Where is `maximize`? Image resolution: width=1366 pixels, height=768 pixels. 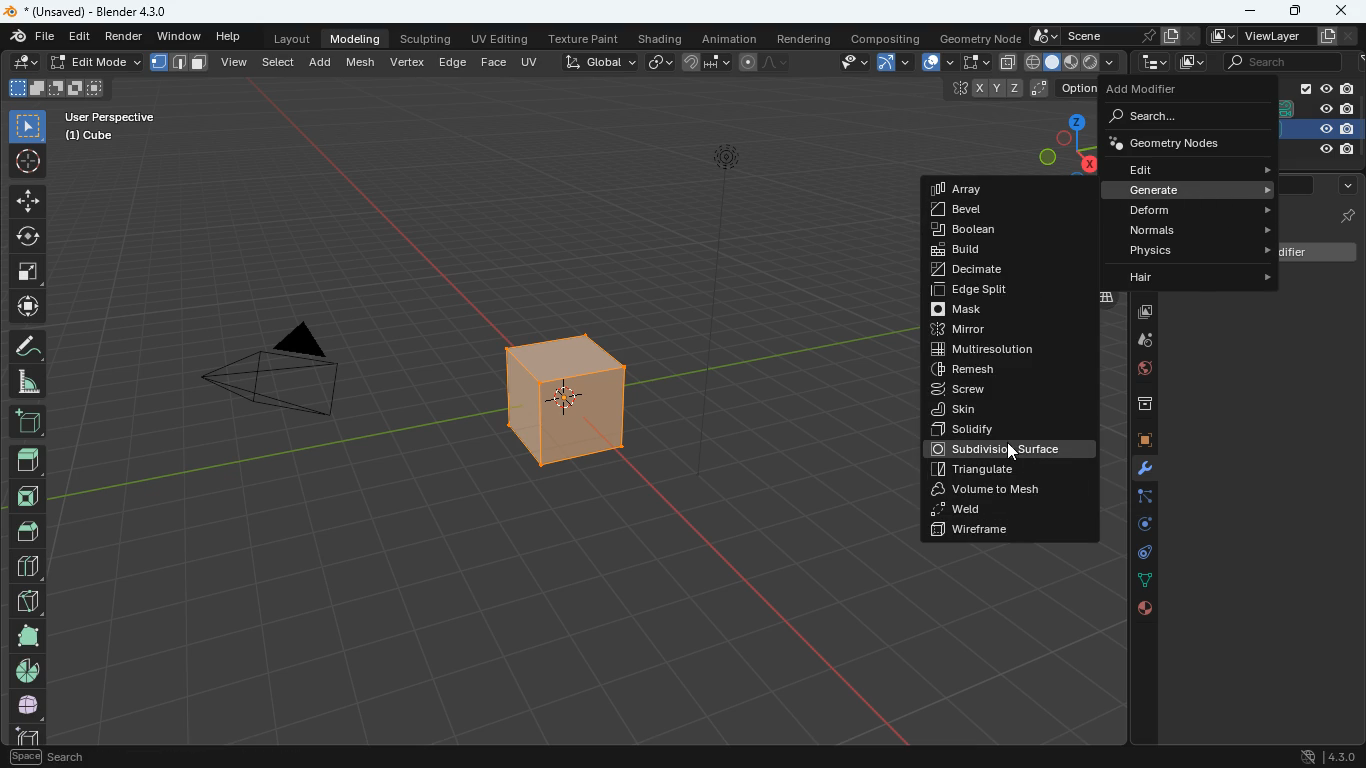 maximize is located at coordinates (1296, 11).